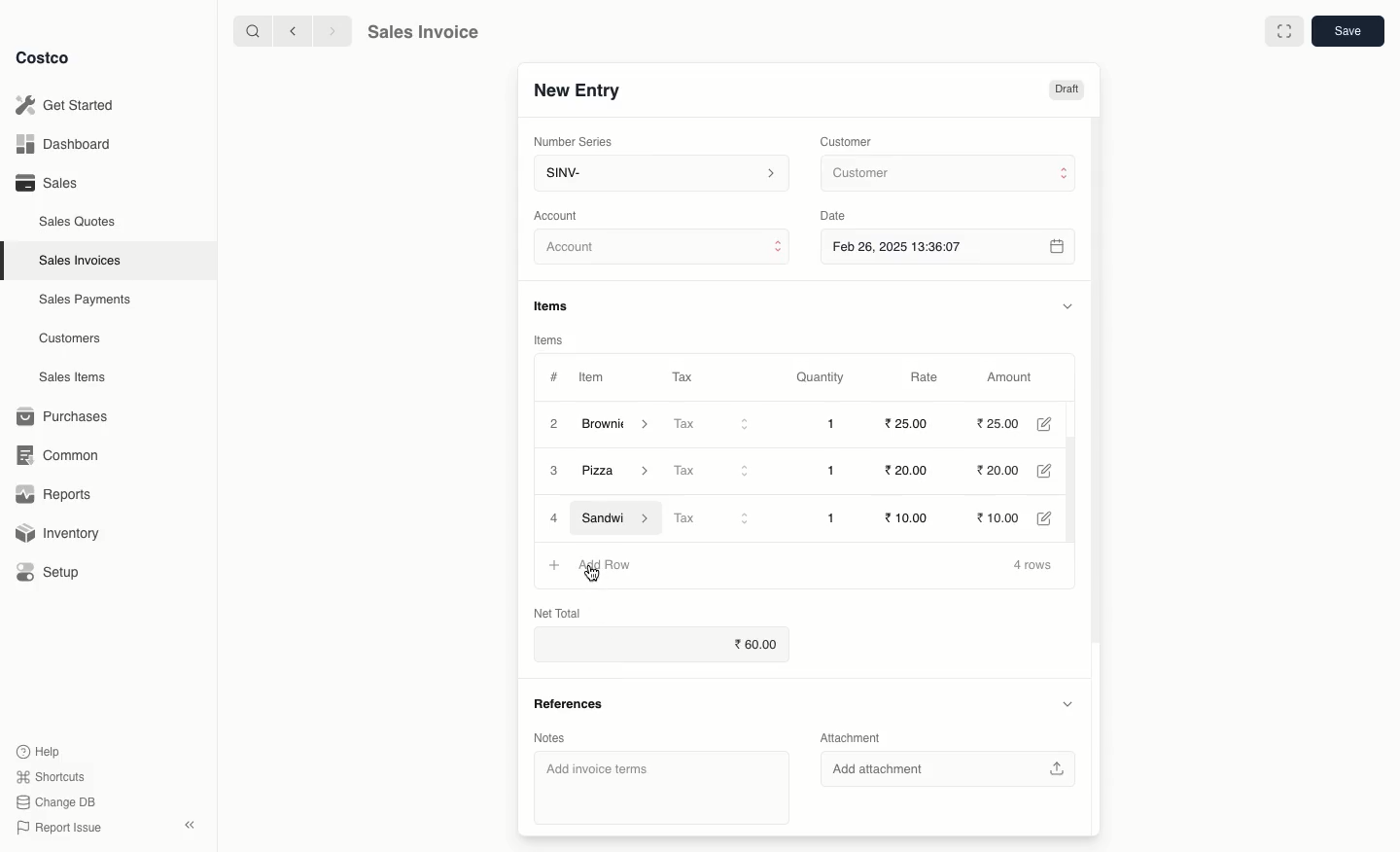 This screenshot has width=1400, height=852. I want to click on cursor, so click(593, 577).